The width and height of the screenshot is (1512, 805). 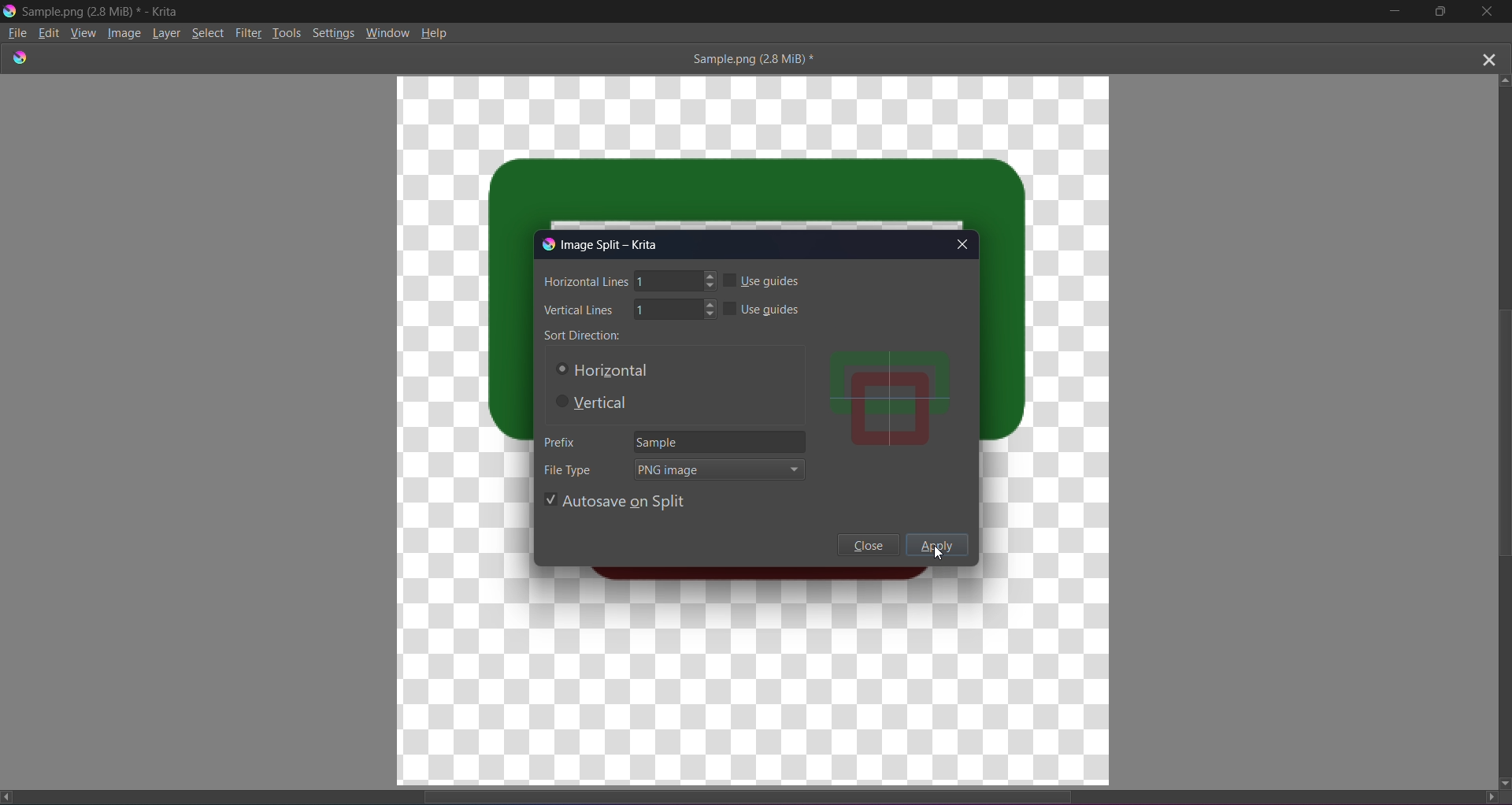 I want to click on Apply, so click(x=939, y=547).